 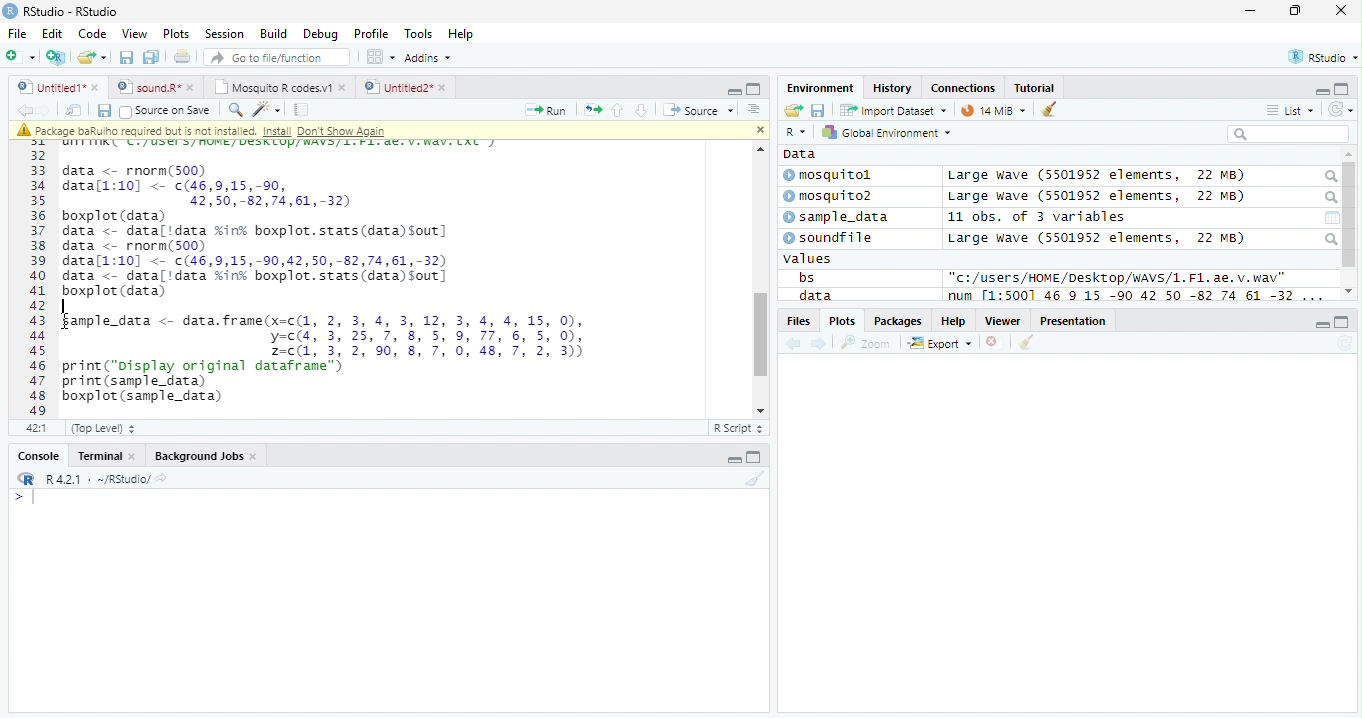 I want to click on Save, so click(x=103, y=111).